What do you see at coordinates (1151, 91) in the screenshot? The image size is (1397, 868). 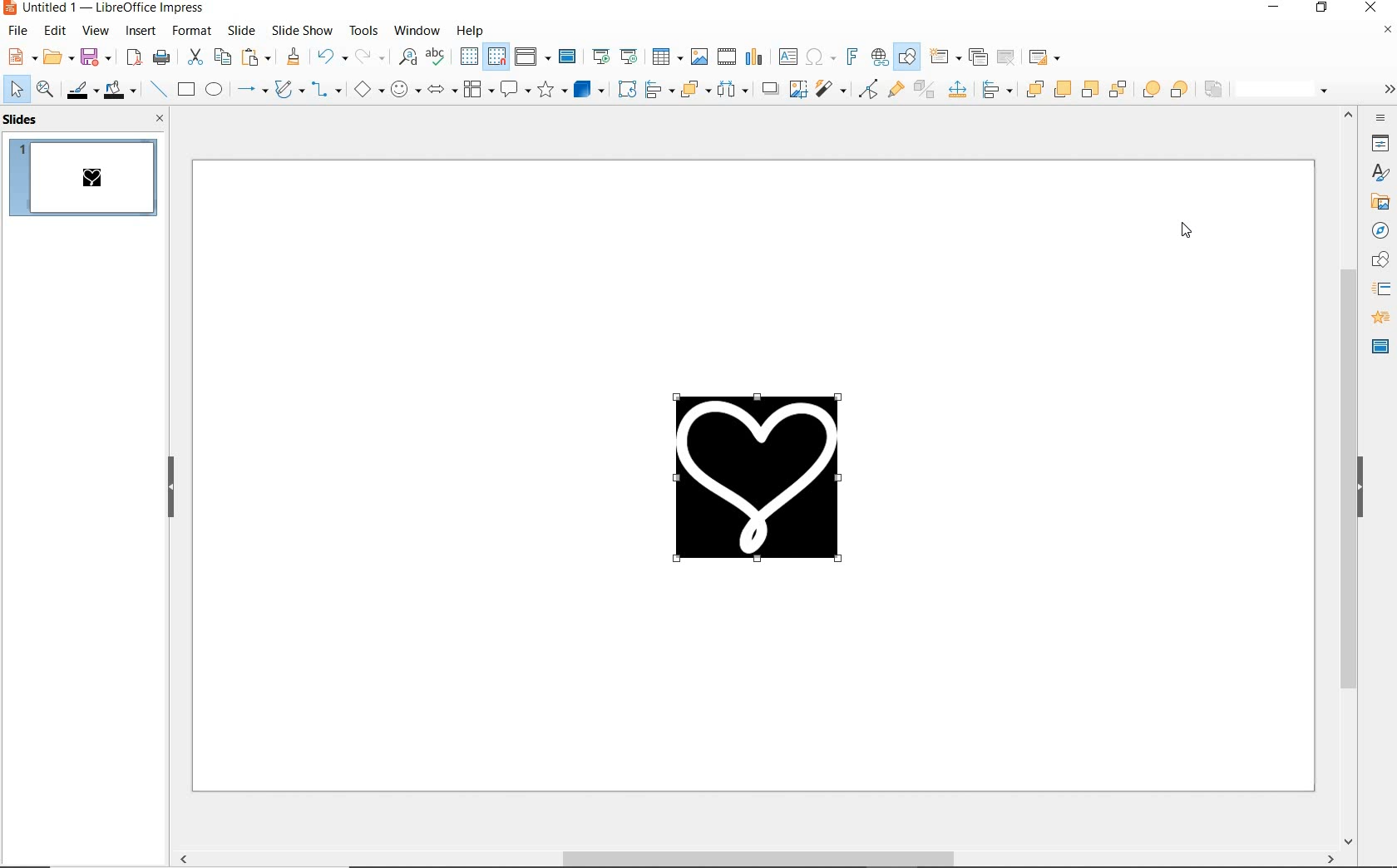 I see `infront object` at bounding box center [1151, 91].